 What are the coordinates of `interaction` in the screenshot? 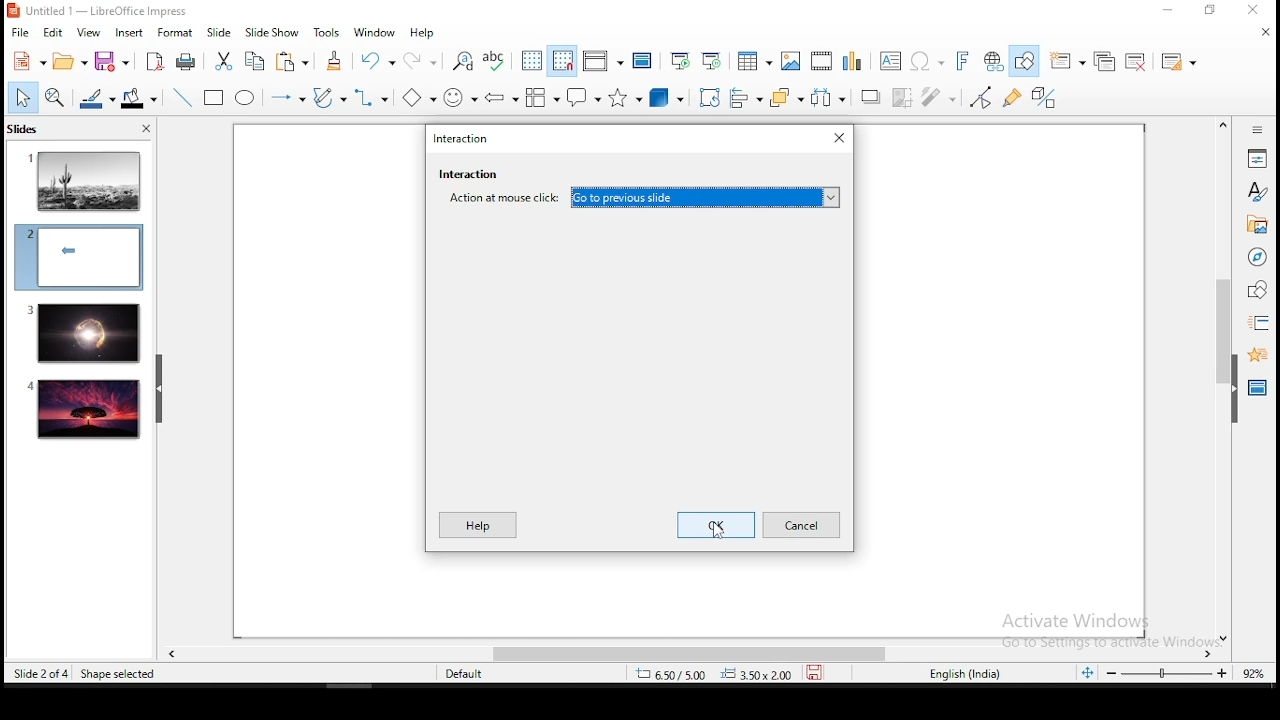 It's located at (468, 174).